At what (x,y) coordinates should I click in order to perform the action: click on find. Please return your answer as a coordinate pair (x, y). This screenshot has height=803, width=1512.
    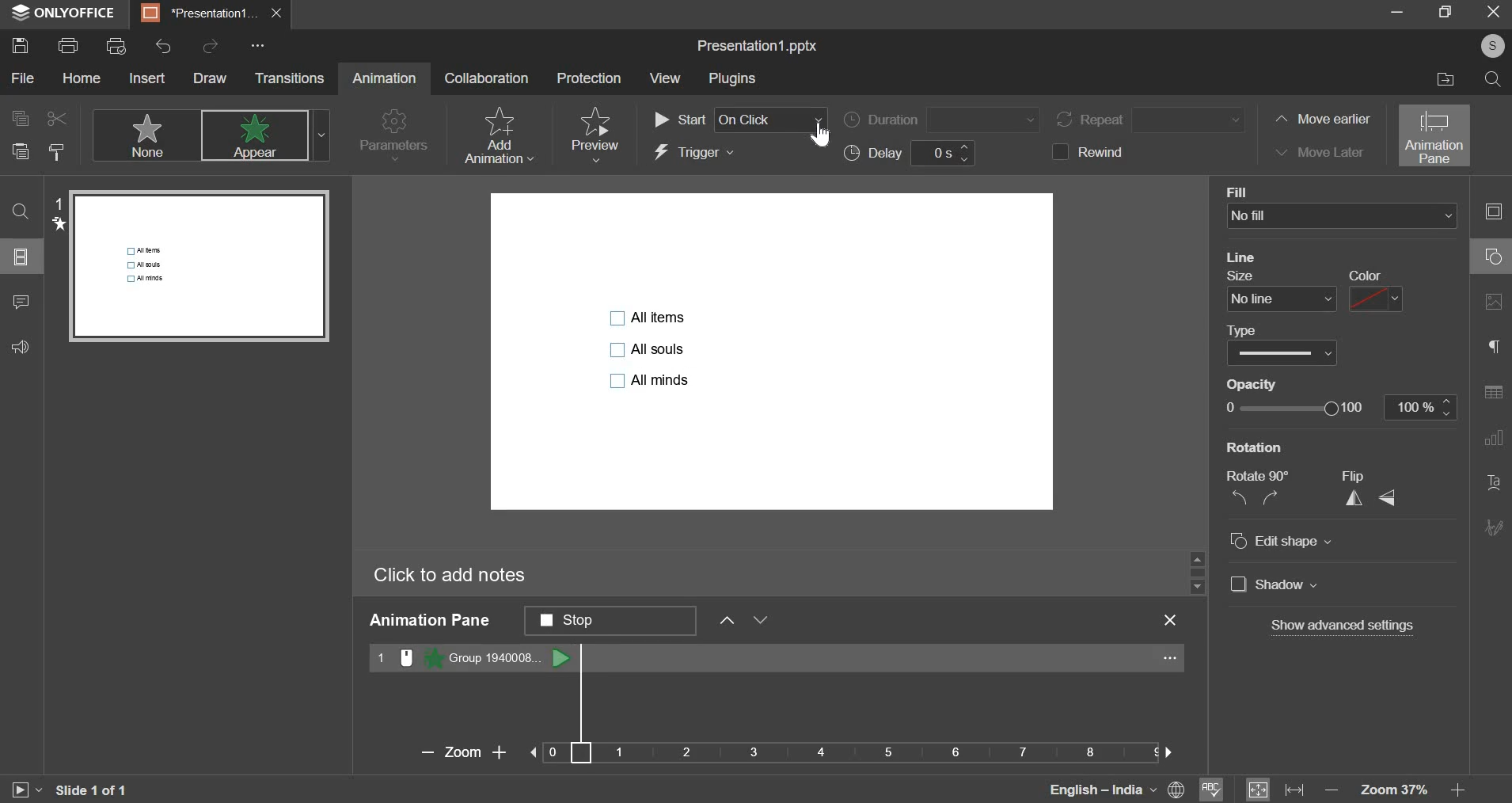
    Looking at the image, I should click on (21, 211).